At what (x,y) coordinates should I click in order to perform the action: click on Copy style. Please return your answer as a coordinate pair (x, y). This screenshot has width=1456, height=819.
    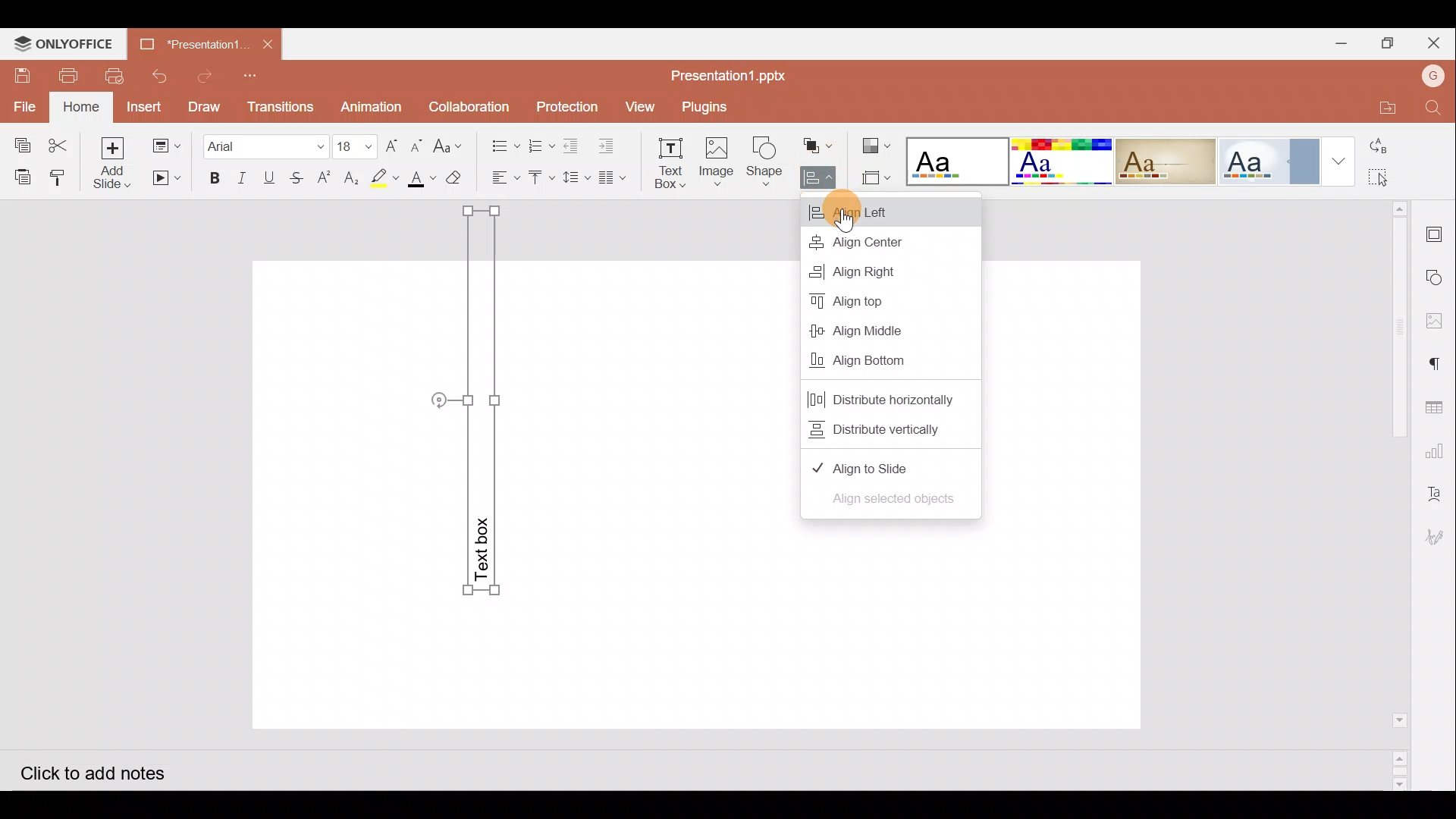
    Looking at the image, I should click on (63, 174).